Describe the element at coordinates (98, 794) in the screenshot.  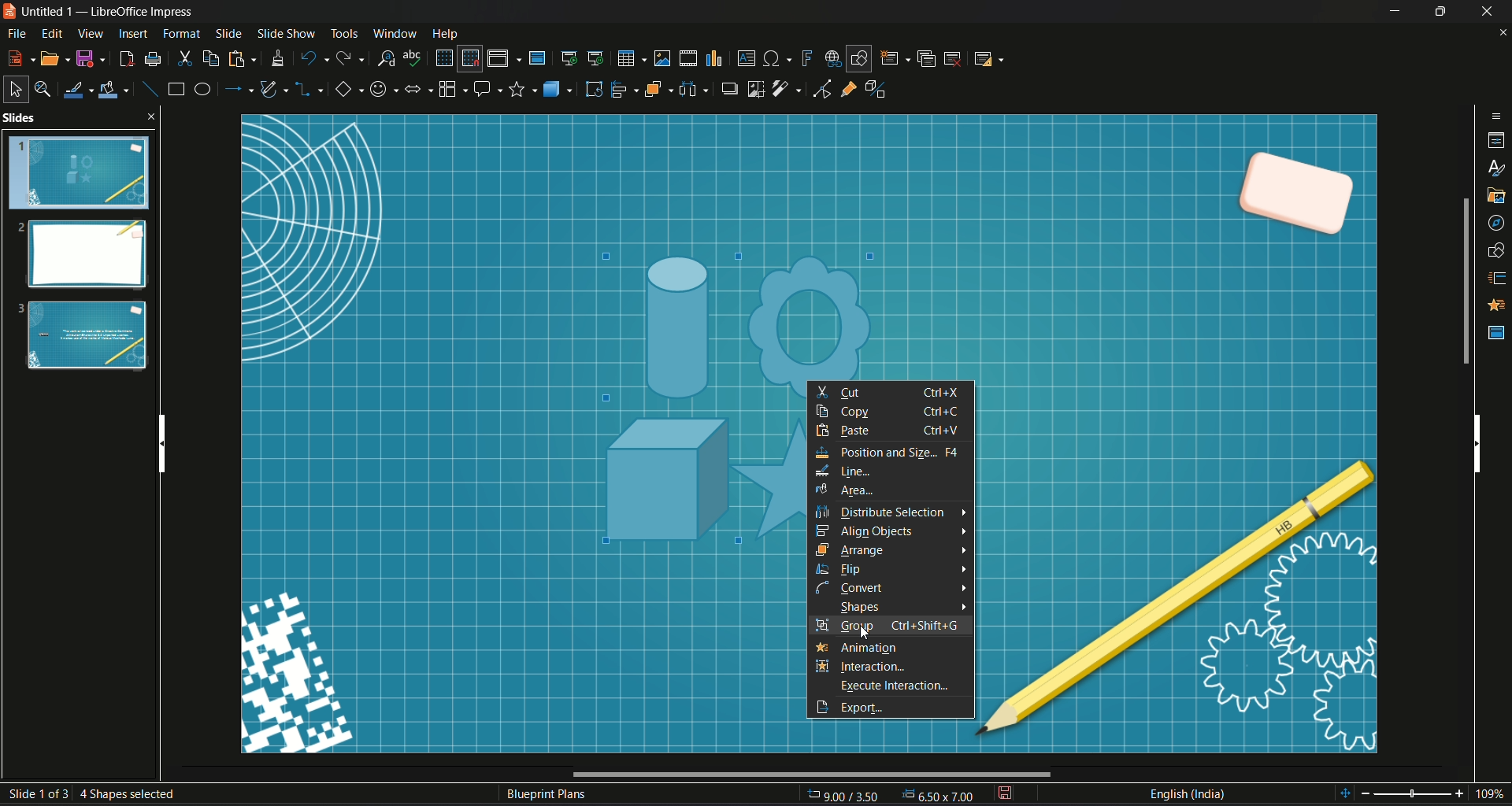
I see `Slide number` at that location.